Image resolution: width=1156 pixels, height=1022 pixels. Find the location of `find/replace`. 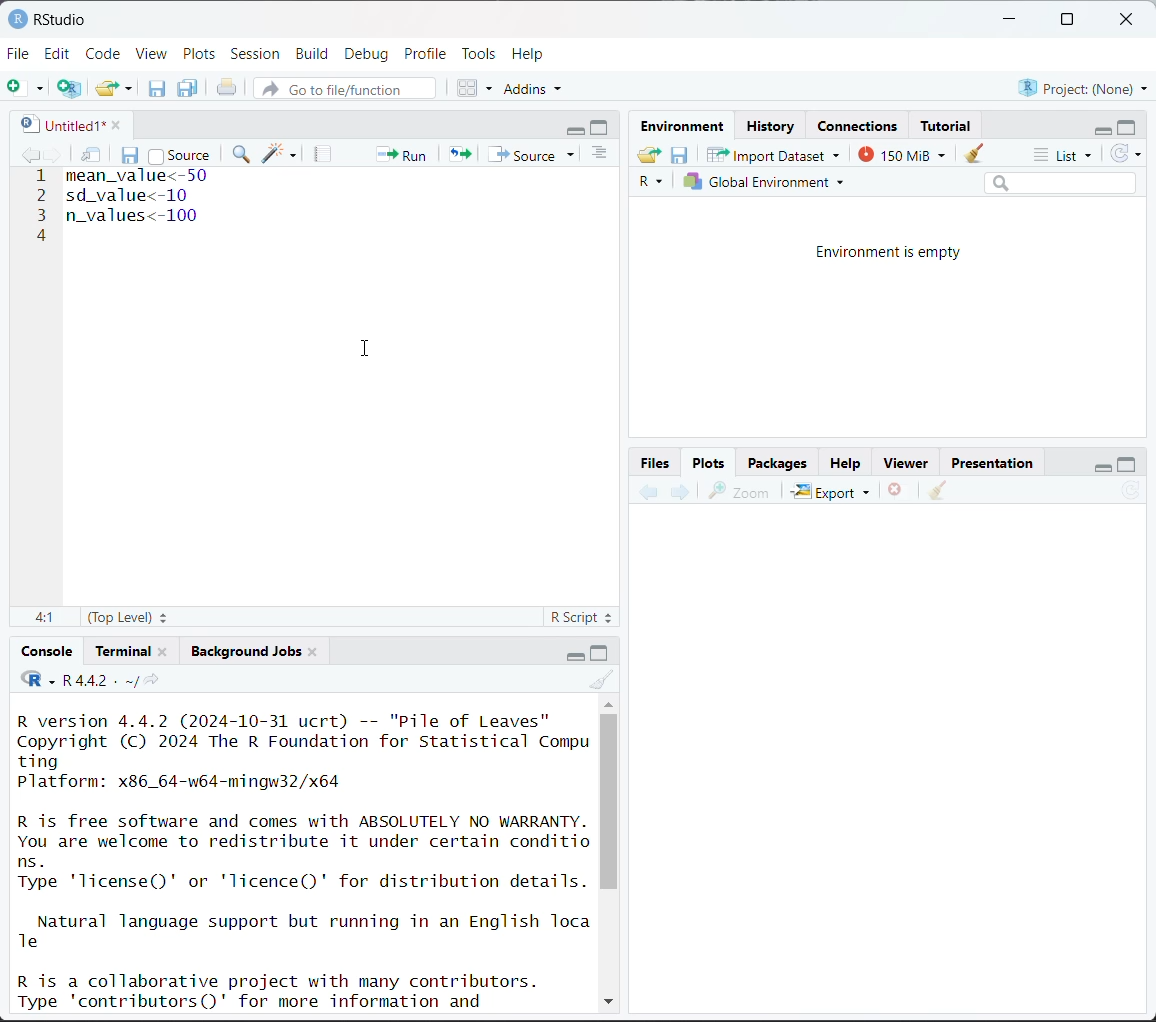

find/replace is located at coordinates (243, 156).